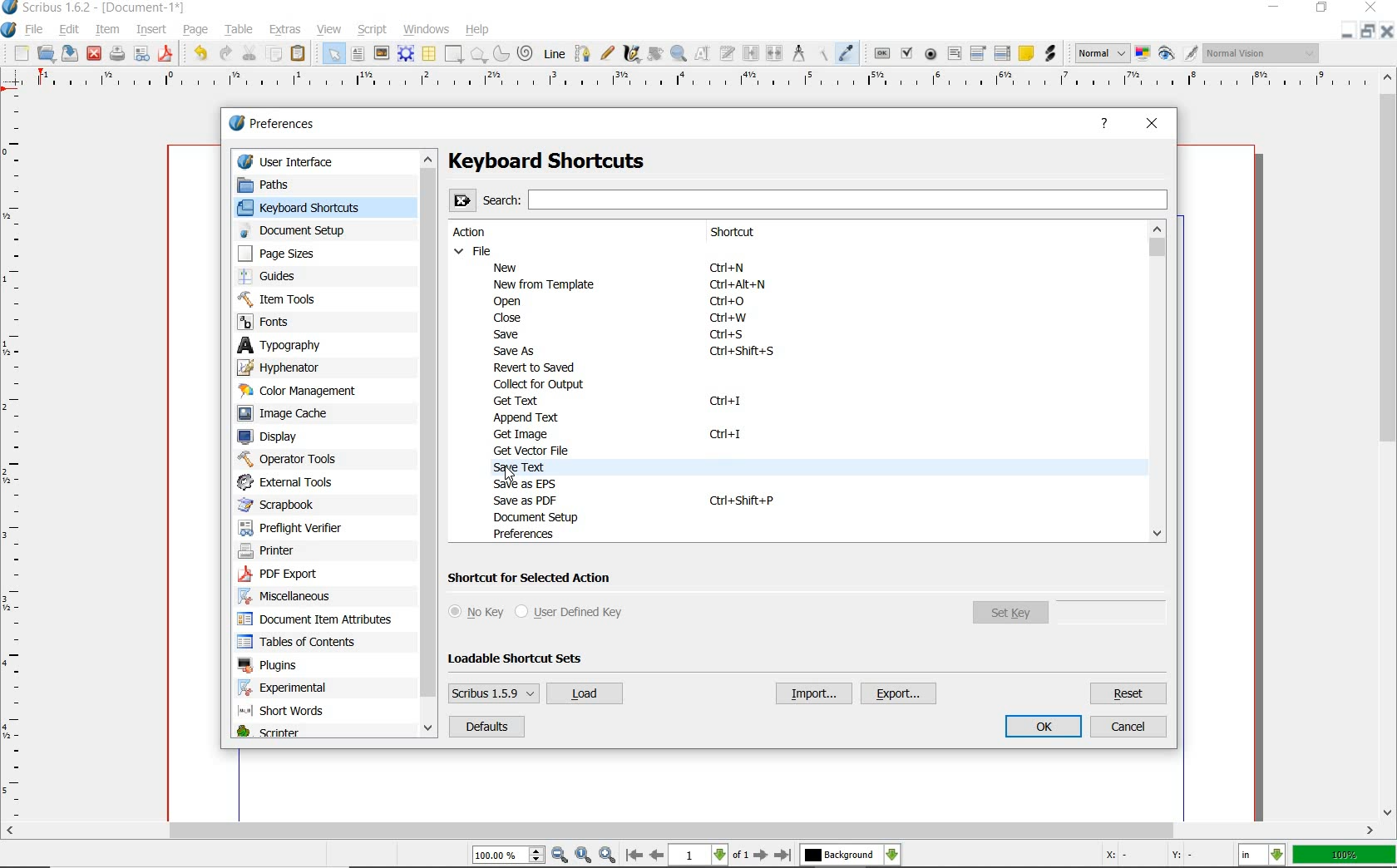  Describe the element at coordinates (94, 52) in the screenshot. I see `close` at that location.